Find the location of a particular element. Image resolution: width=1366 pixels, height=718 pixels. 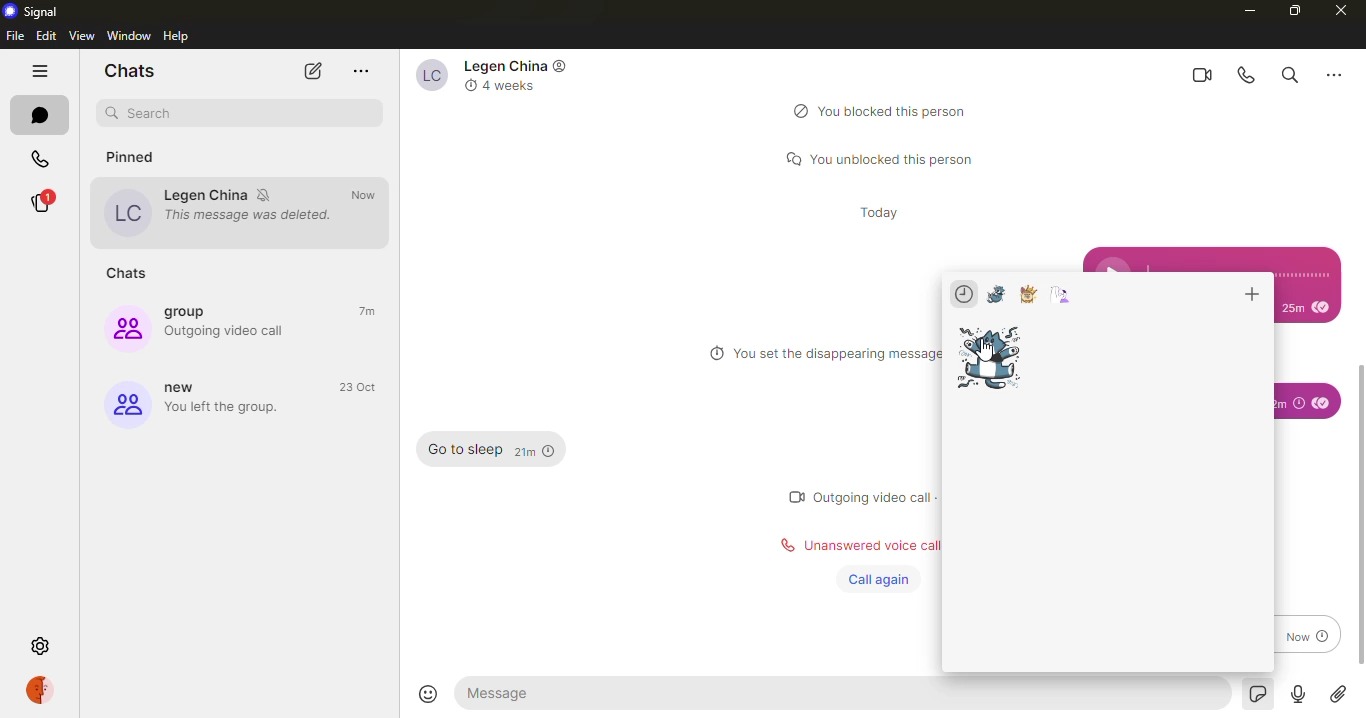

chats is located at coordinates (132, 71).